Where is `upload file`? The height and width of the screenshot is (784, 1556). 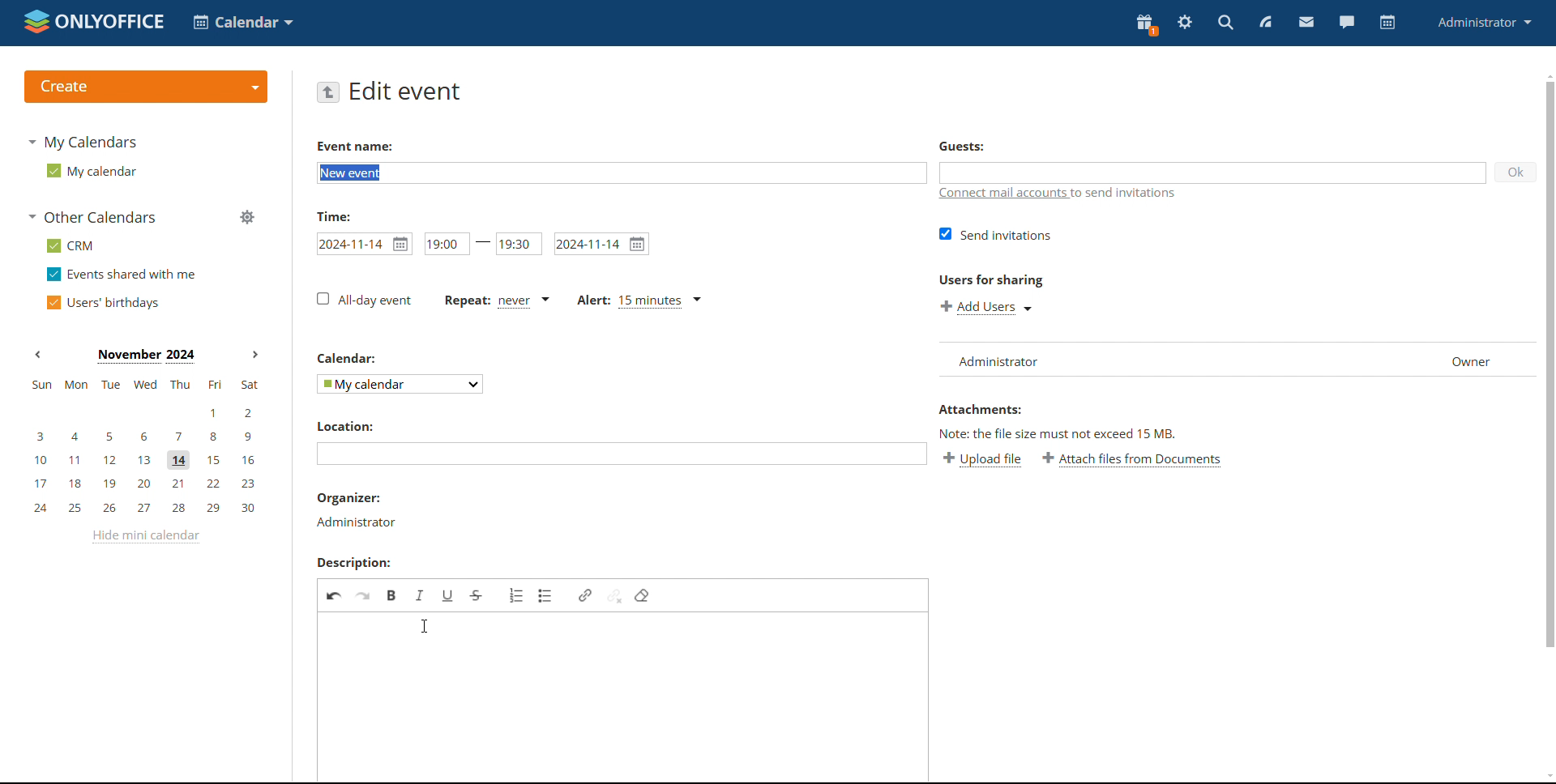
upload file is located at coordinates (981, 460).